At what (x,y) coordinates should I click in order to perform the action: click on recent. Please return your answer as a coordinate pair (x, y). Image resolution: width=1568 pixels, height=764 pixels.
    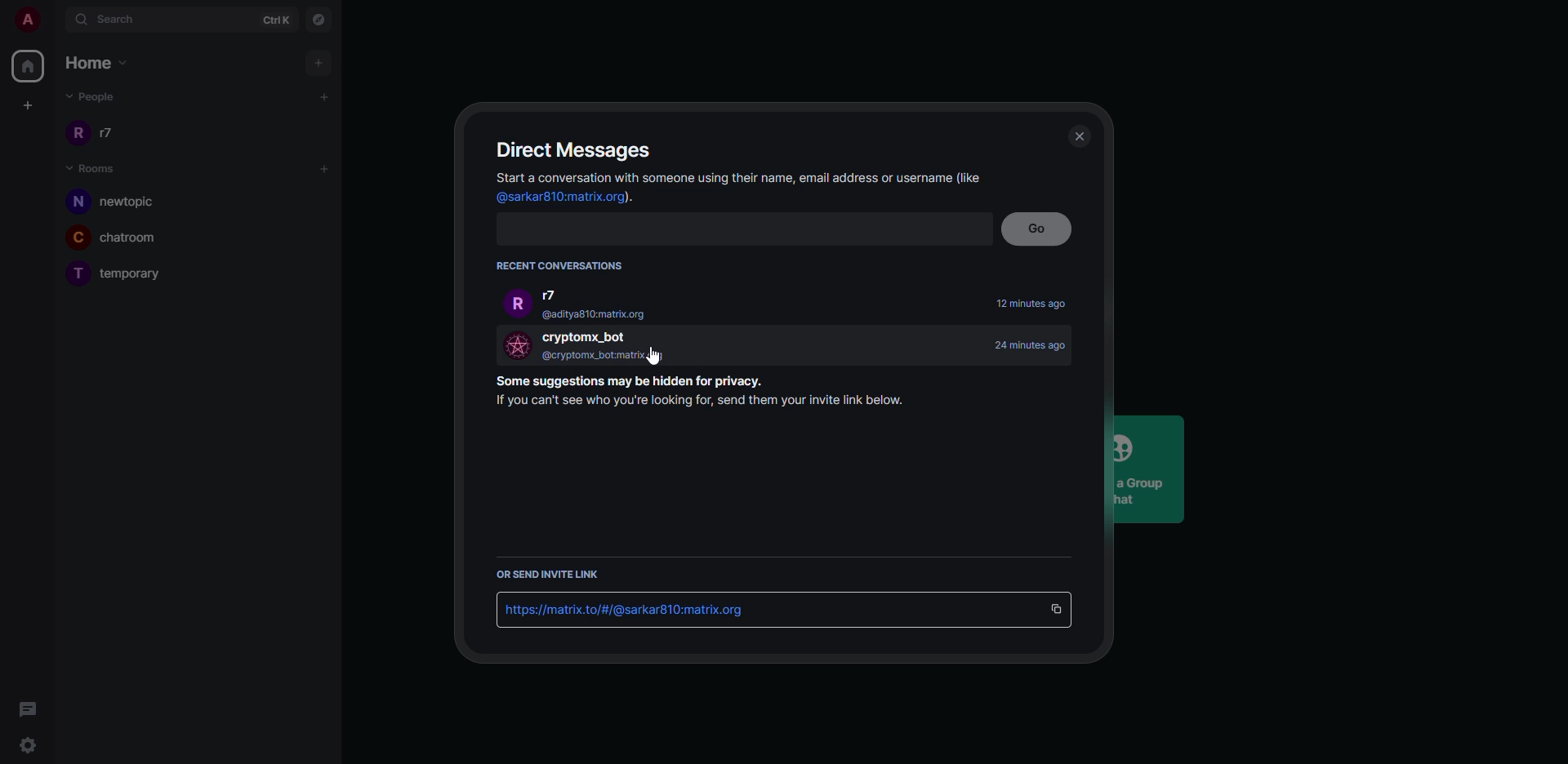
    Looking at the image, I should click on (559, 266).